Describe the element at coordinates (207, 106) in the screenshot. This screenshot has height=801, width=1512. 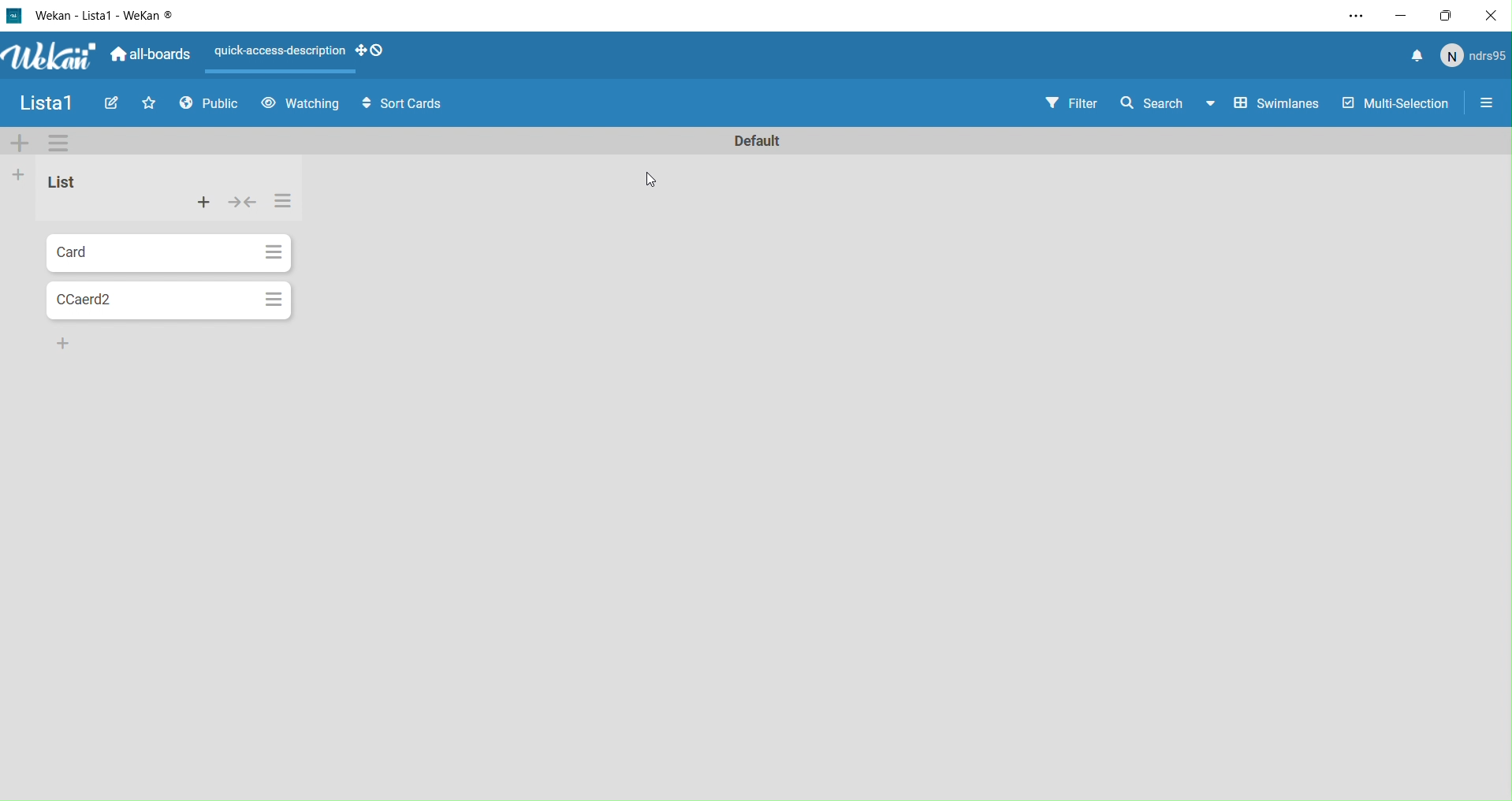
I see `Public` at that location.